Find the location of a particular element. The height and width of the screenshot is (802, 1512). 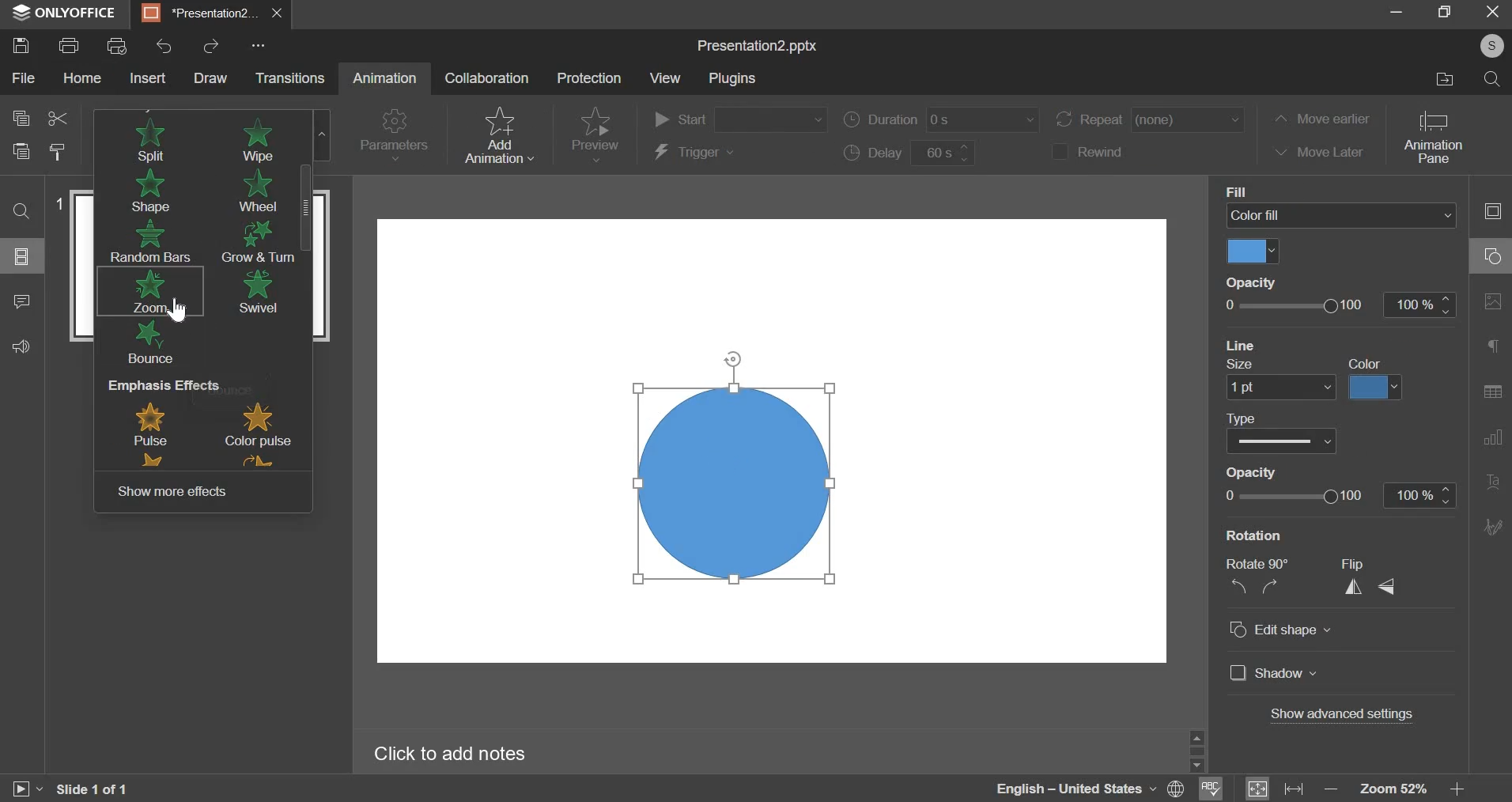

find is located at coordinates (20, 211).